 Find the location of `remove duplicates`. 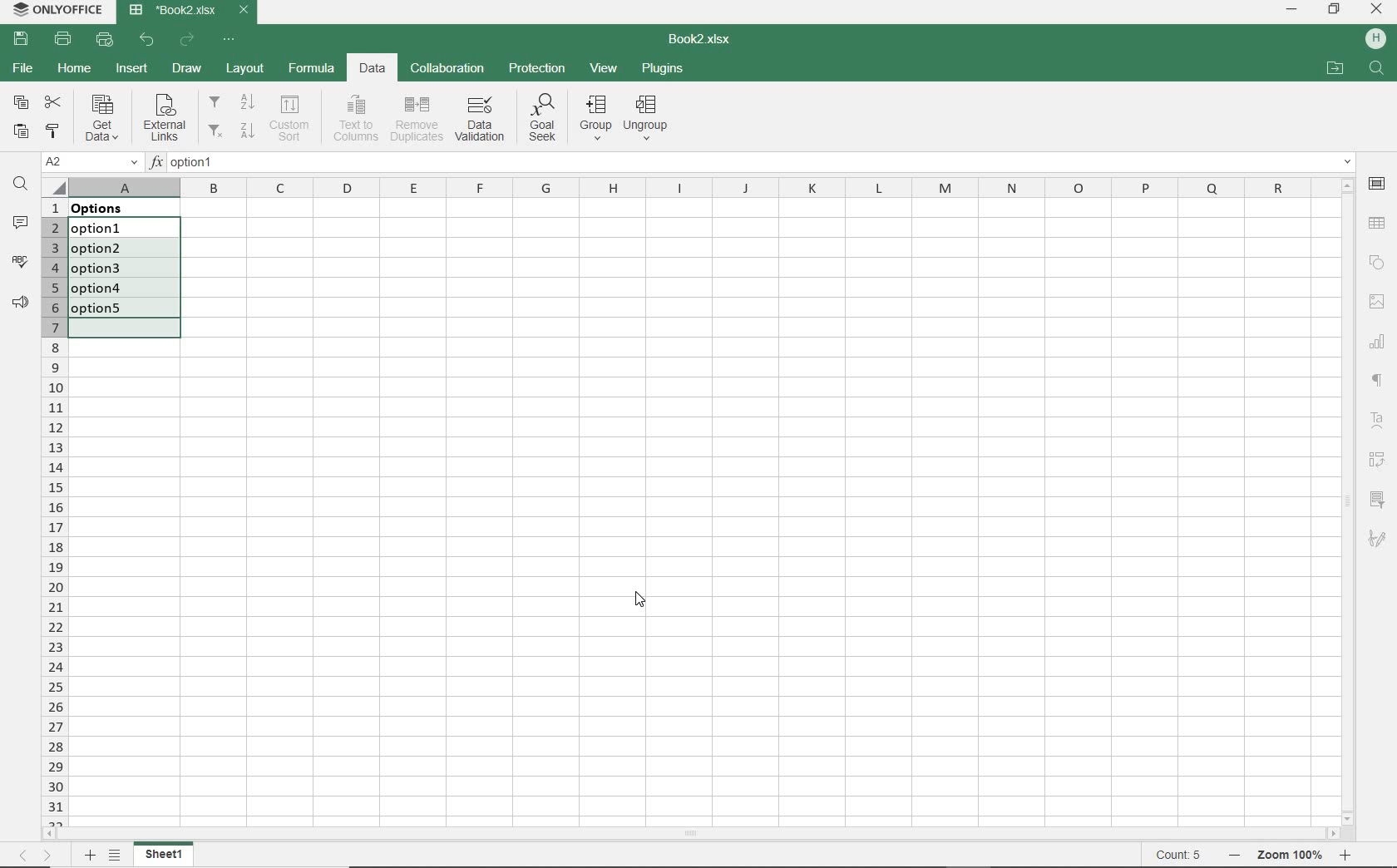

remove duplicates is located at coordinates (417, 120).